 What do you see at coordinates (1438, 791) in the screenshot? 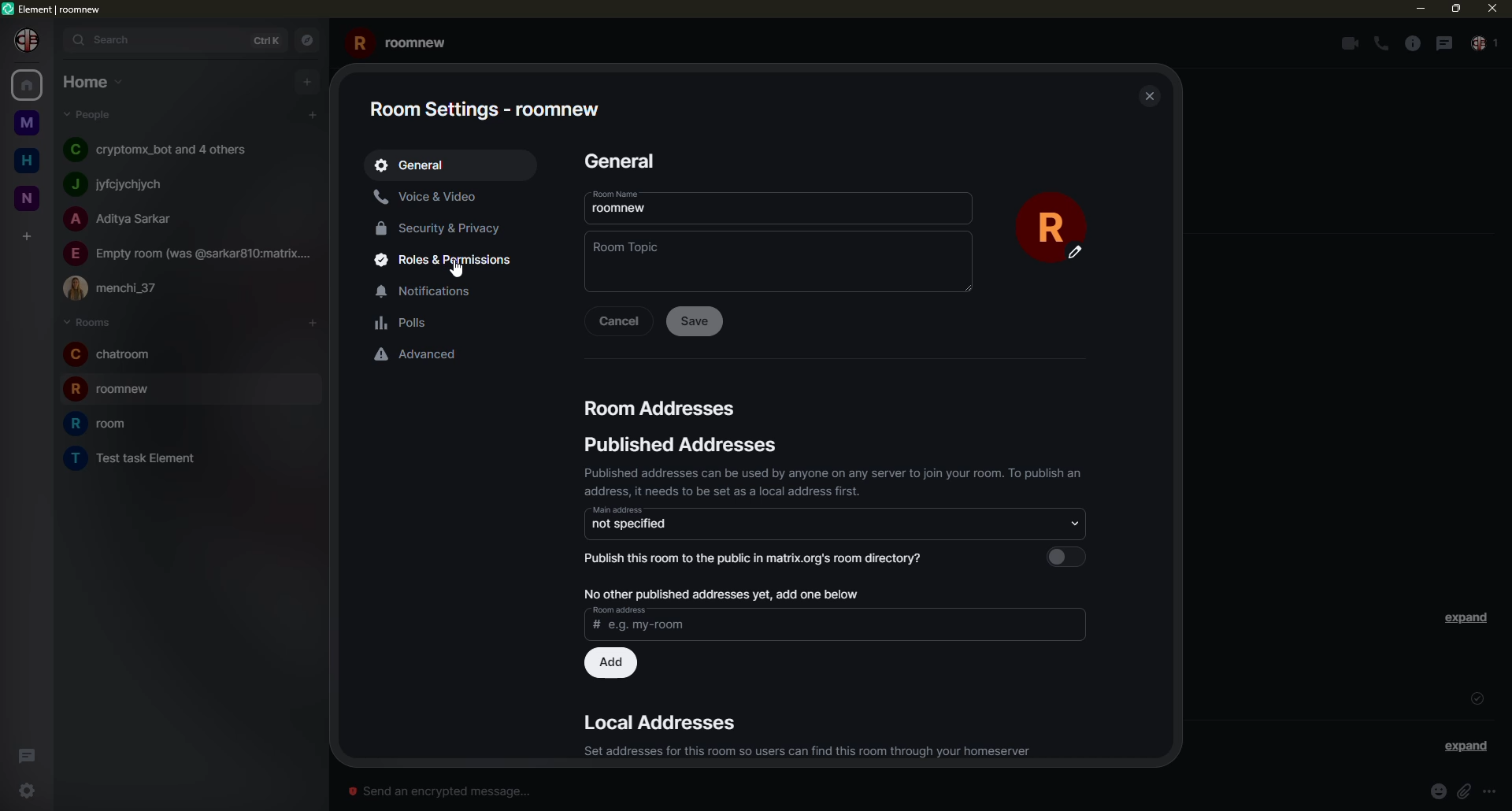
I see `emoji` at bounding box center [1438, 791].